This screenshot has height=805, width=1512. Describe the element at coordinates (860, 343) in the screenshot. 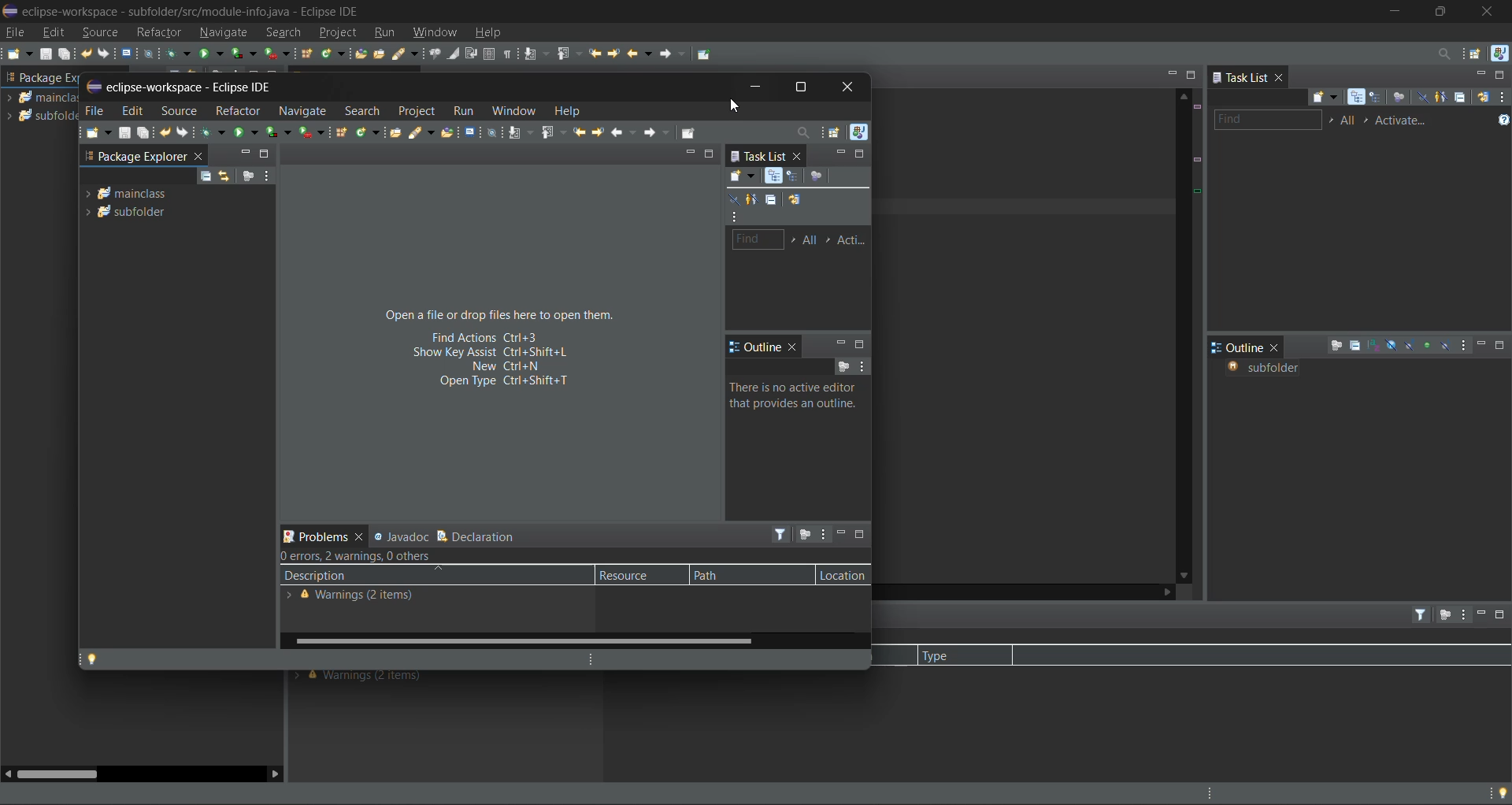

I see `maximize` at that location.